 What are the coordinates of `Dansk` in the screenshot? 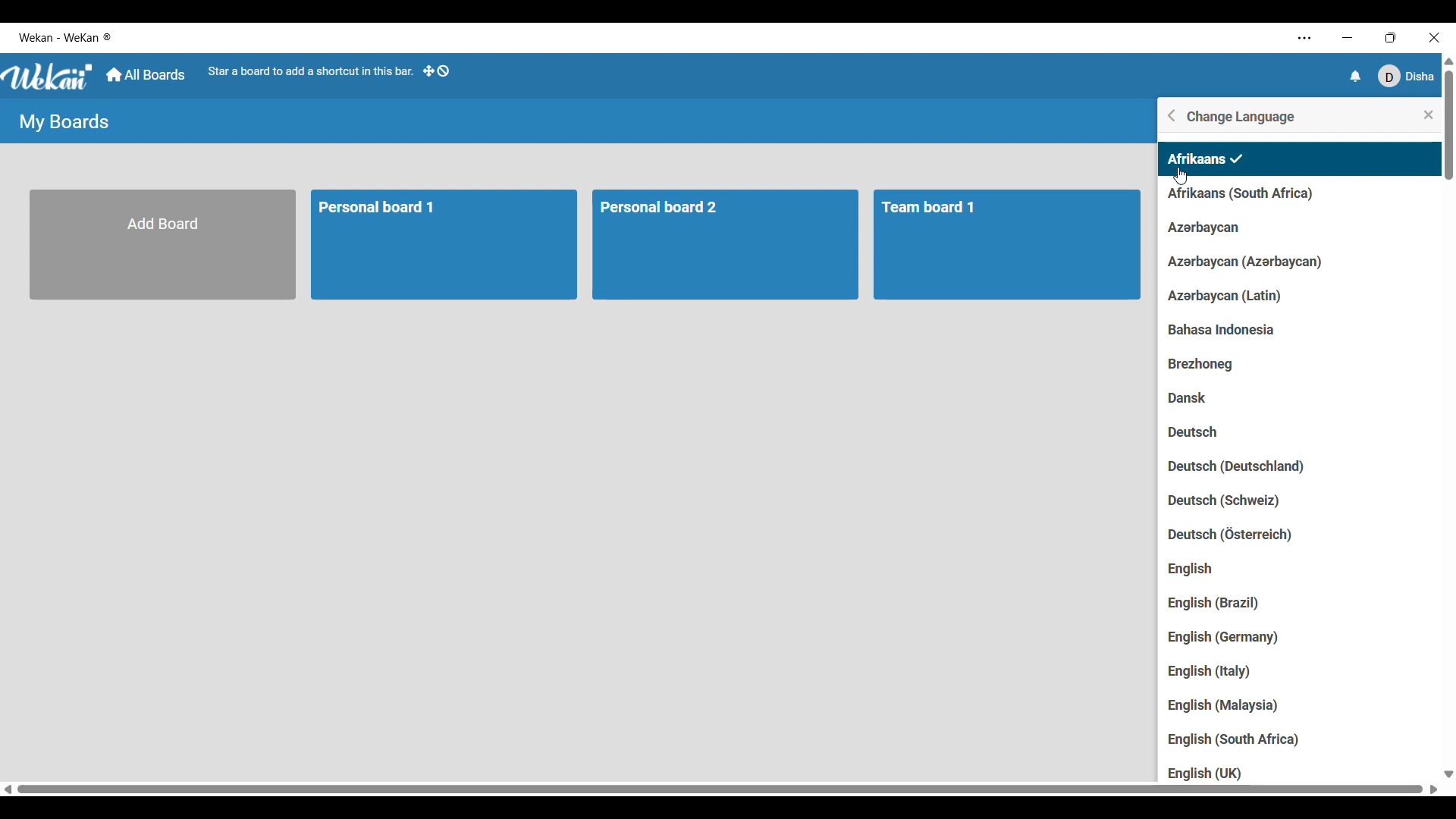 It's located at (1193, 400).